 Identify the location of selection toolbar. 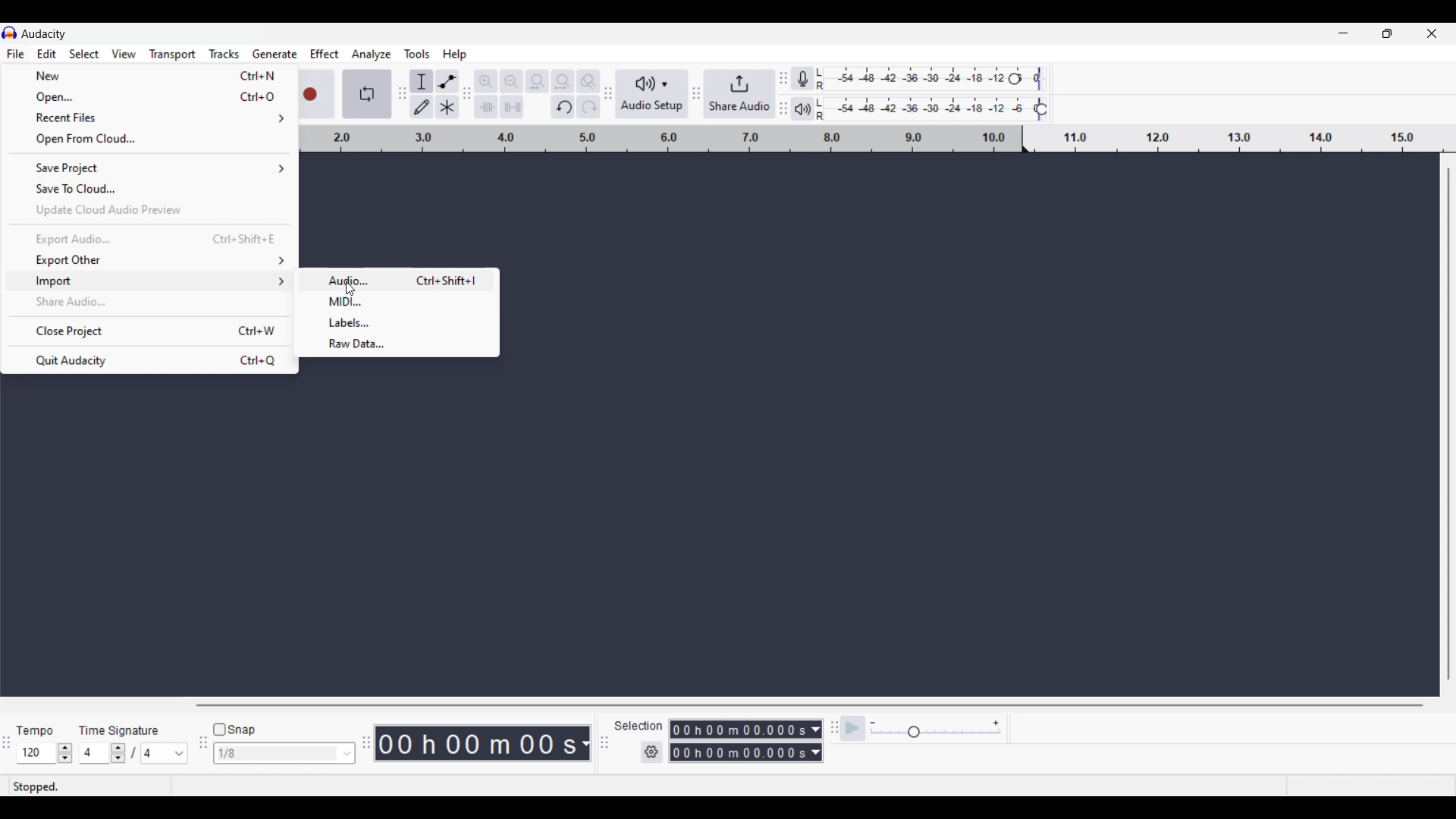
(601, 743).